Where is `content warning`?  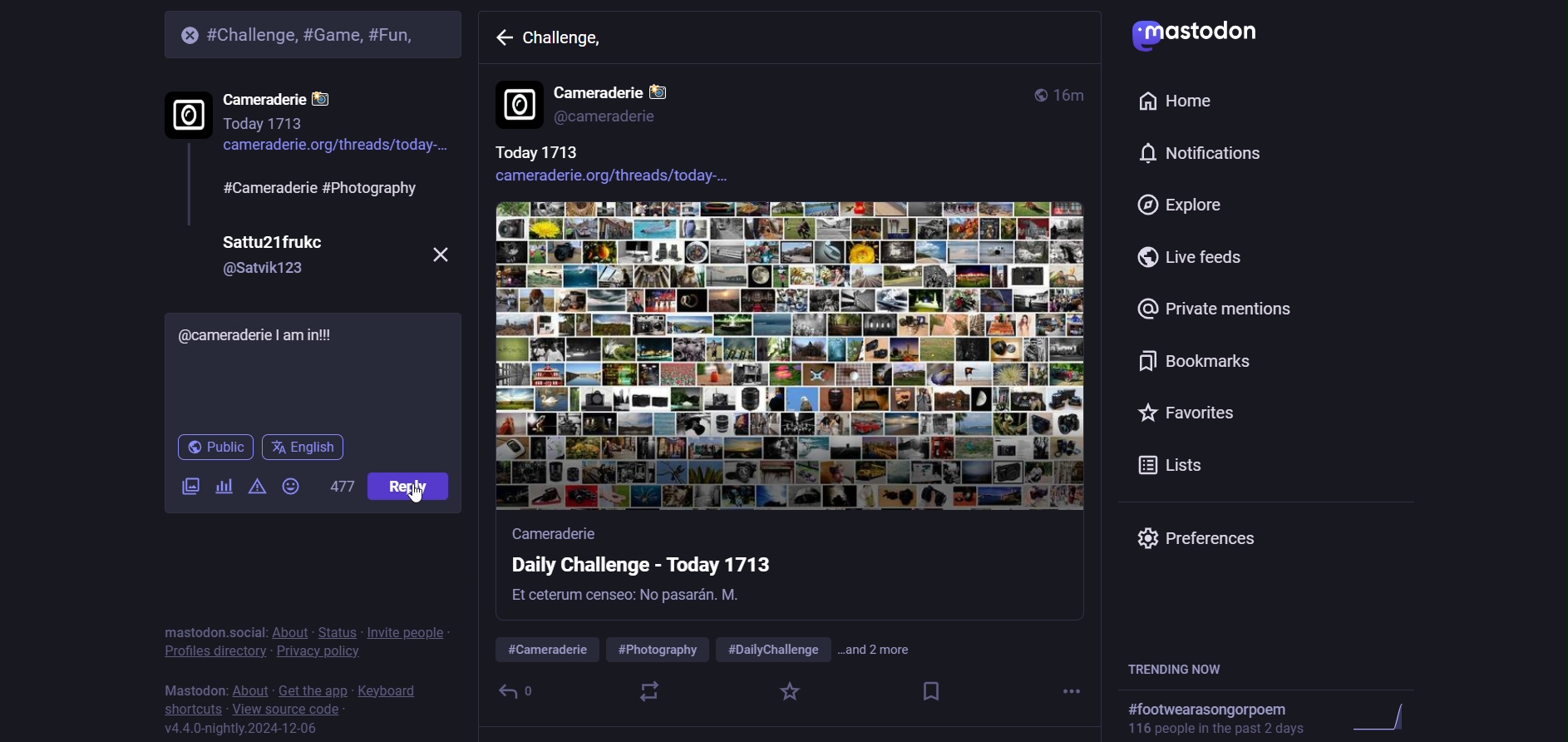 content warning is located at coordinates (255, 484).